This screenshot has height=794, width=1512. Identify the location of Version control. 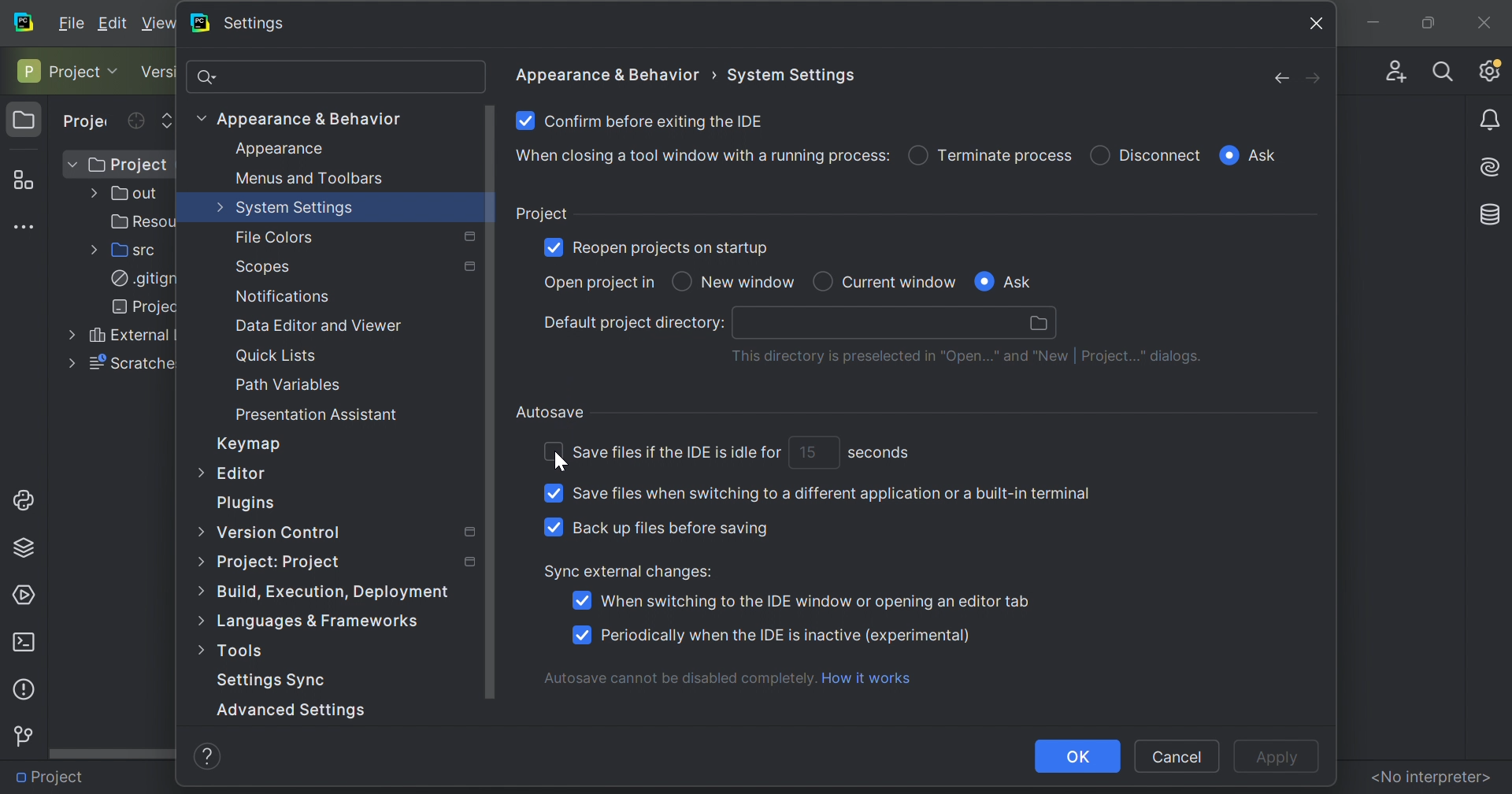
(158, 72).